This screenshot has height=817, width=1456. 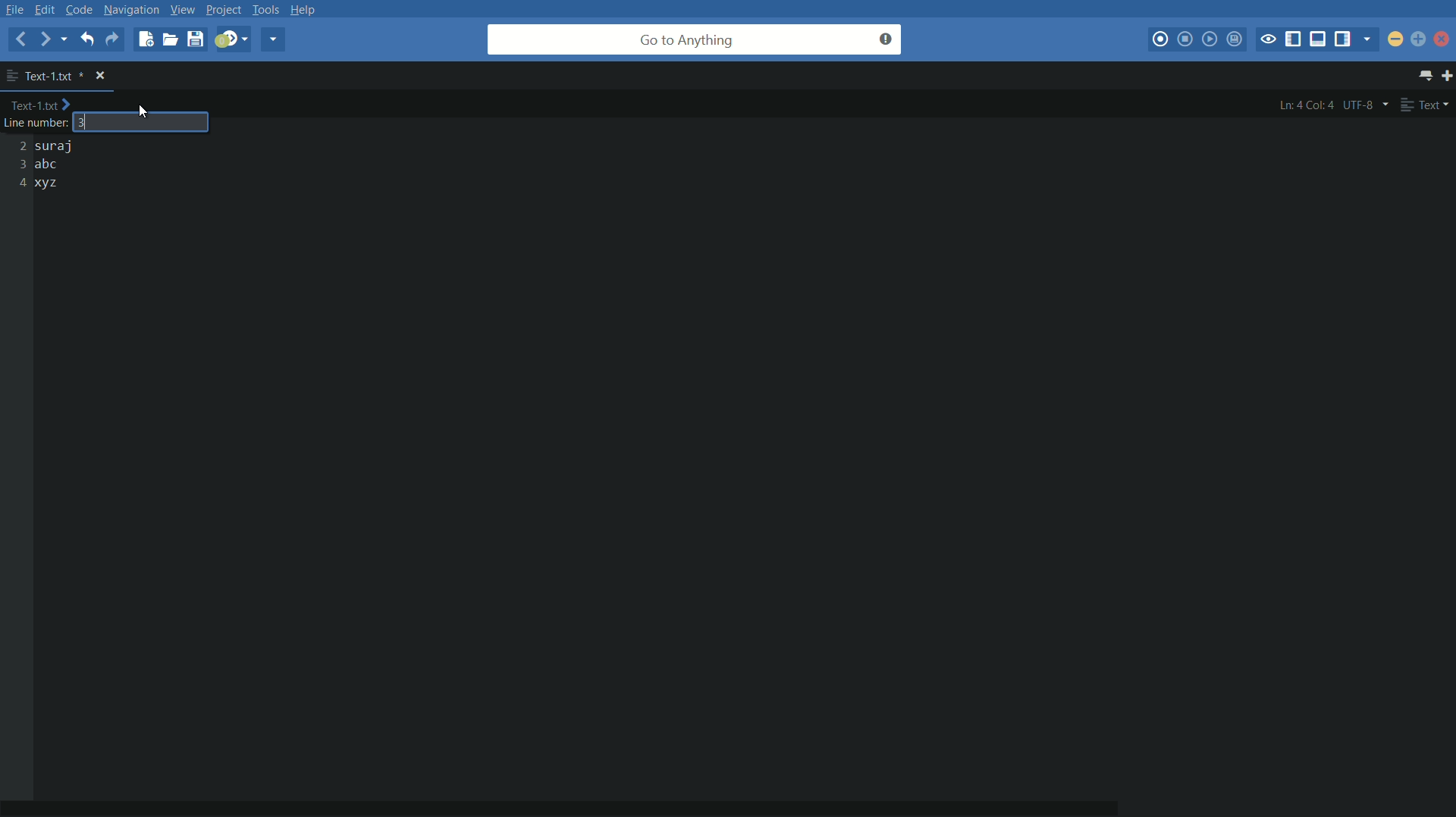 I want to click on code, so click(x=80, y=9).